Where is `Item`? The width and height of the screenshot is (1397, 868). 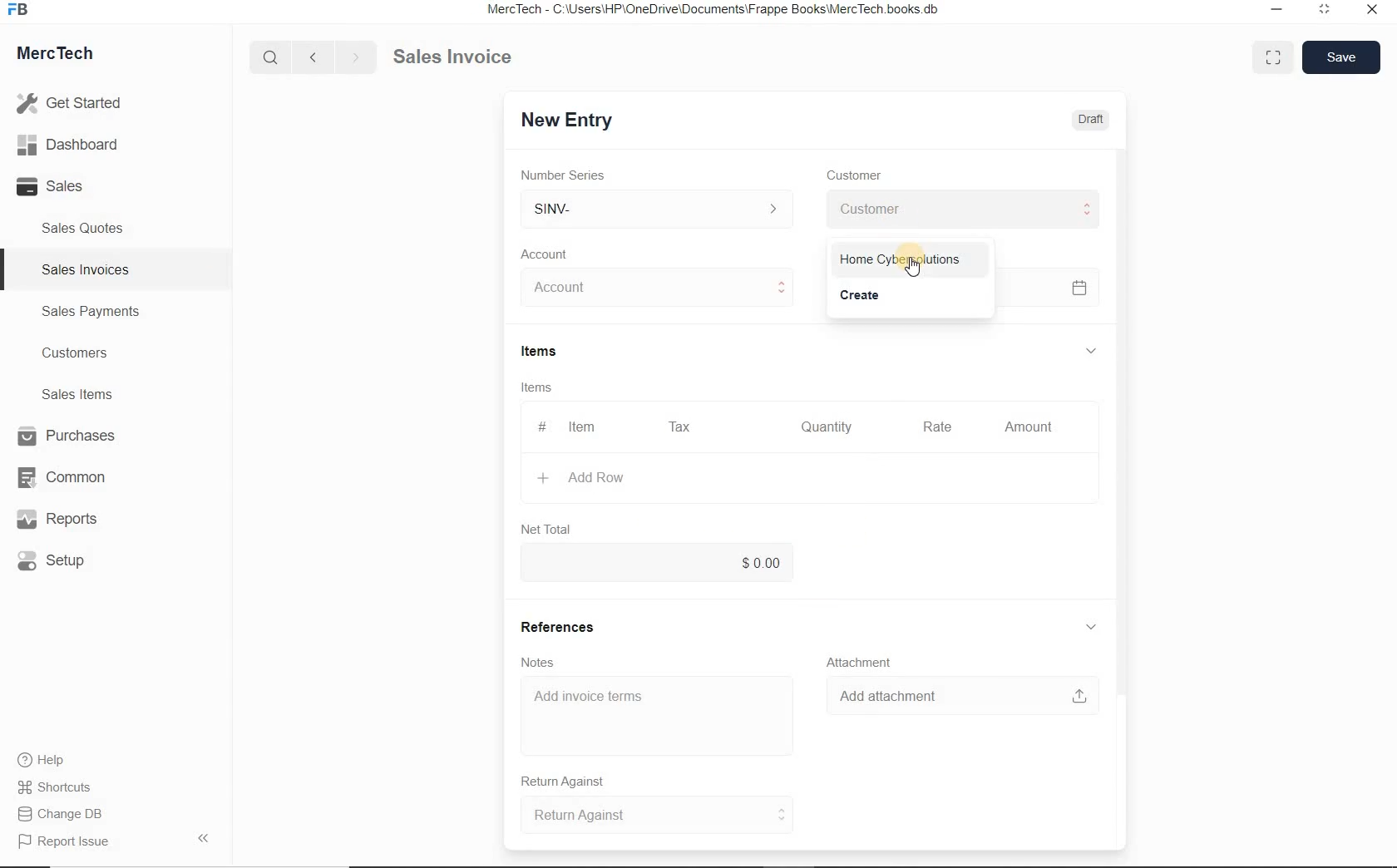
Item is located at coordinates (584, 427).